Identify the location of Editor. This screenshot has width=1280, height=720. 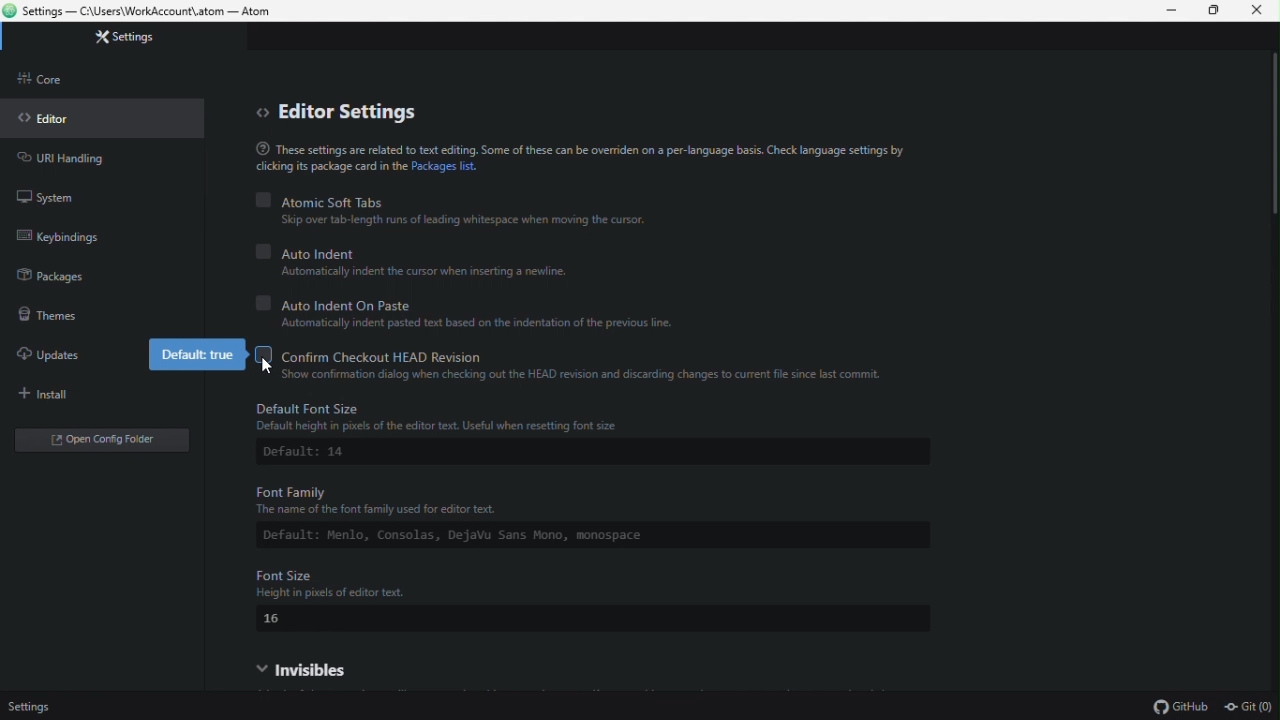
(67, 121).